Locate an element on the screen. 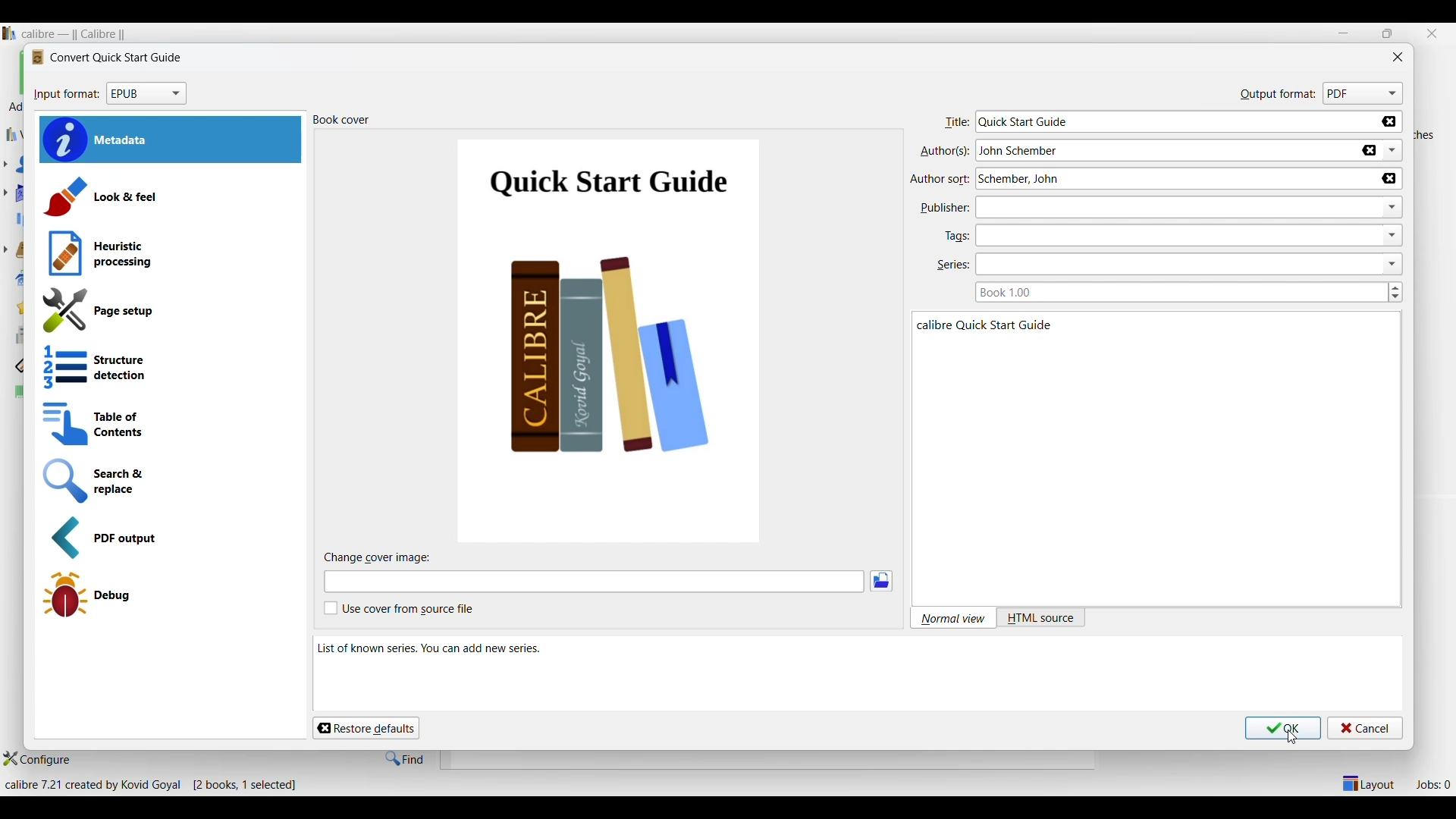  Book details is located at coordinates (1114, 460).